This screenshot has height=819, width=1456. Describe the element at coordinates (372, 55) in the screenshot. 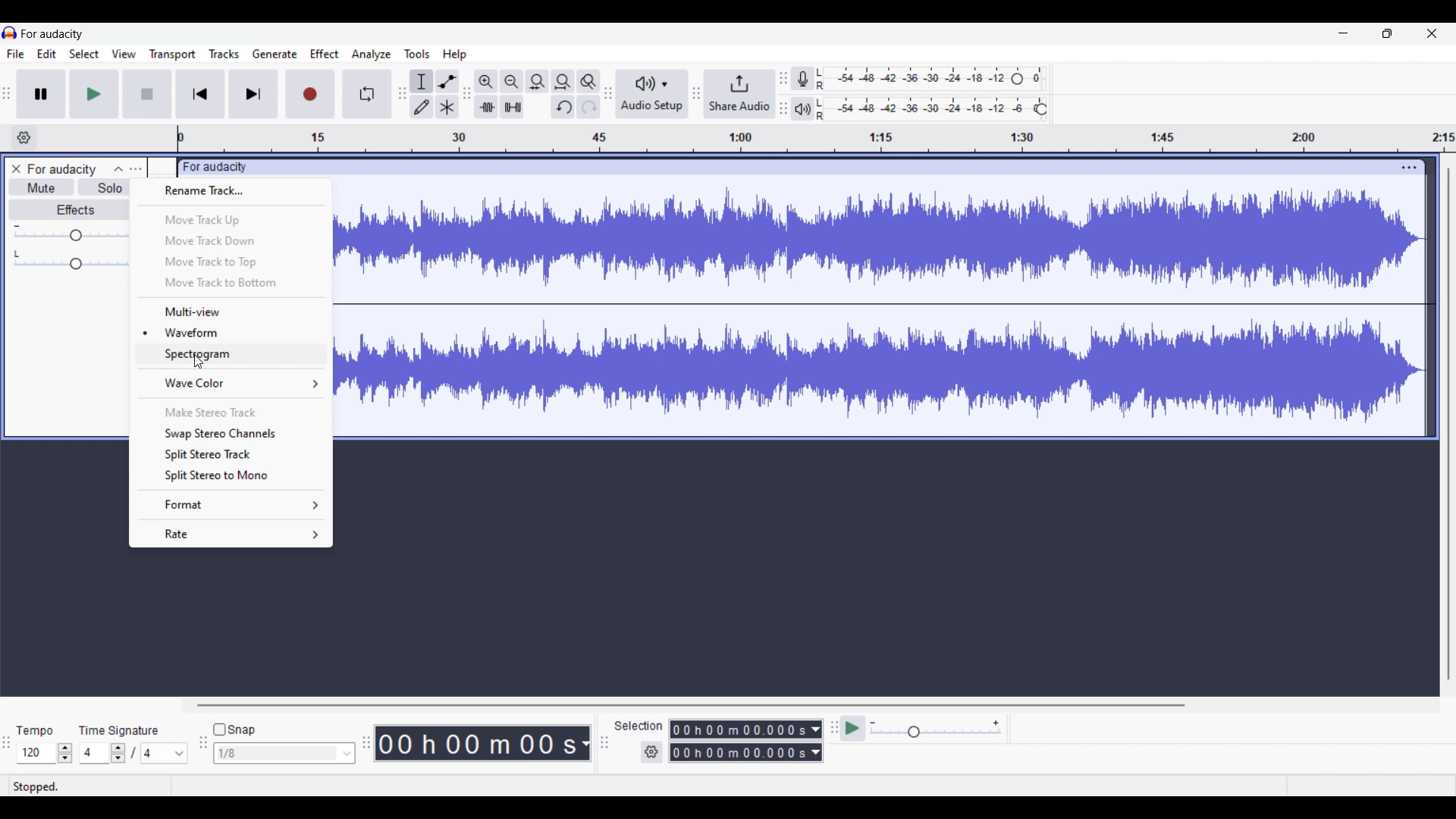

I see `Analyze menu` at that location.